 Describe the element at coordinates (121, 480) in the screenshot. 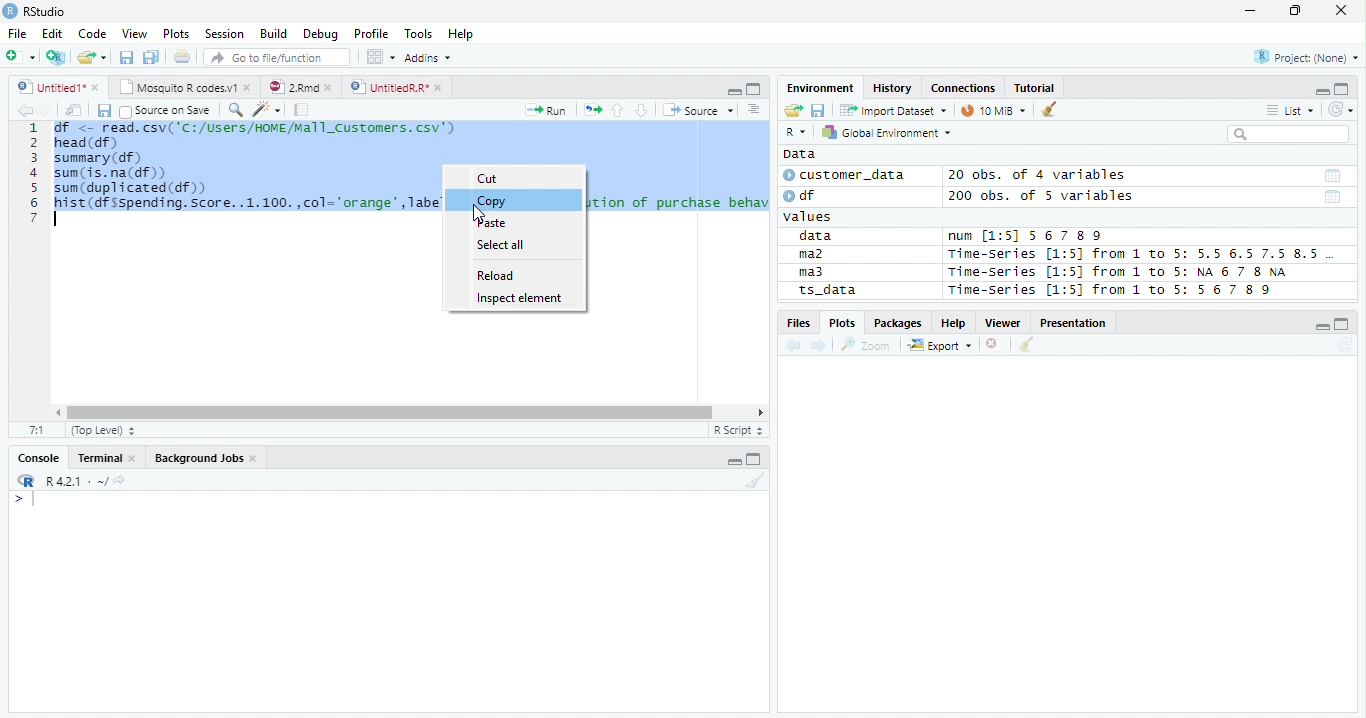

I see `View Current work directory` at that location.